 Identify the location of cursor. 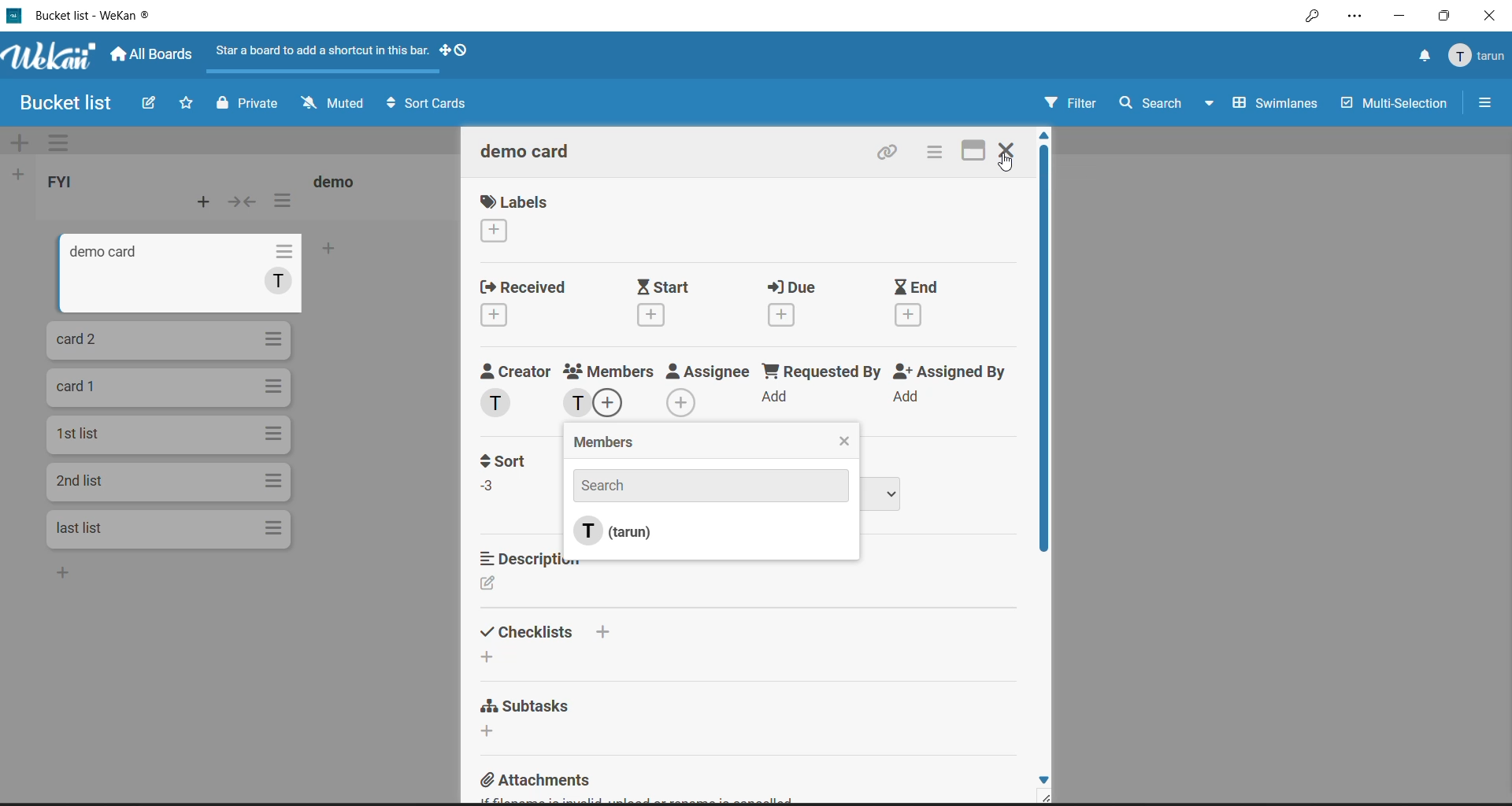
(1007, 168).